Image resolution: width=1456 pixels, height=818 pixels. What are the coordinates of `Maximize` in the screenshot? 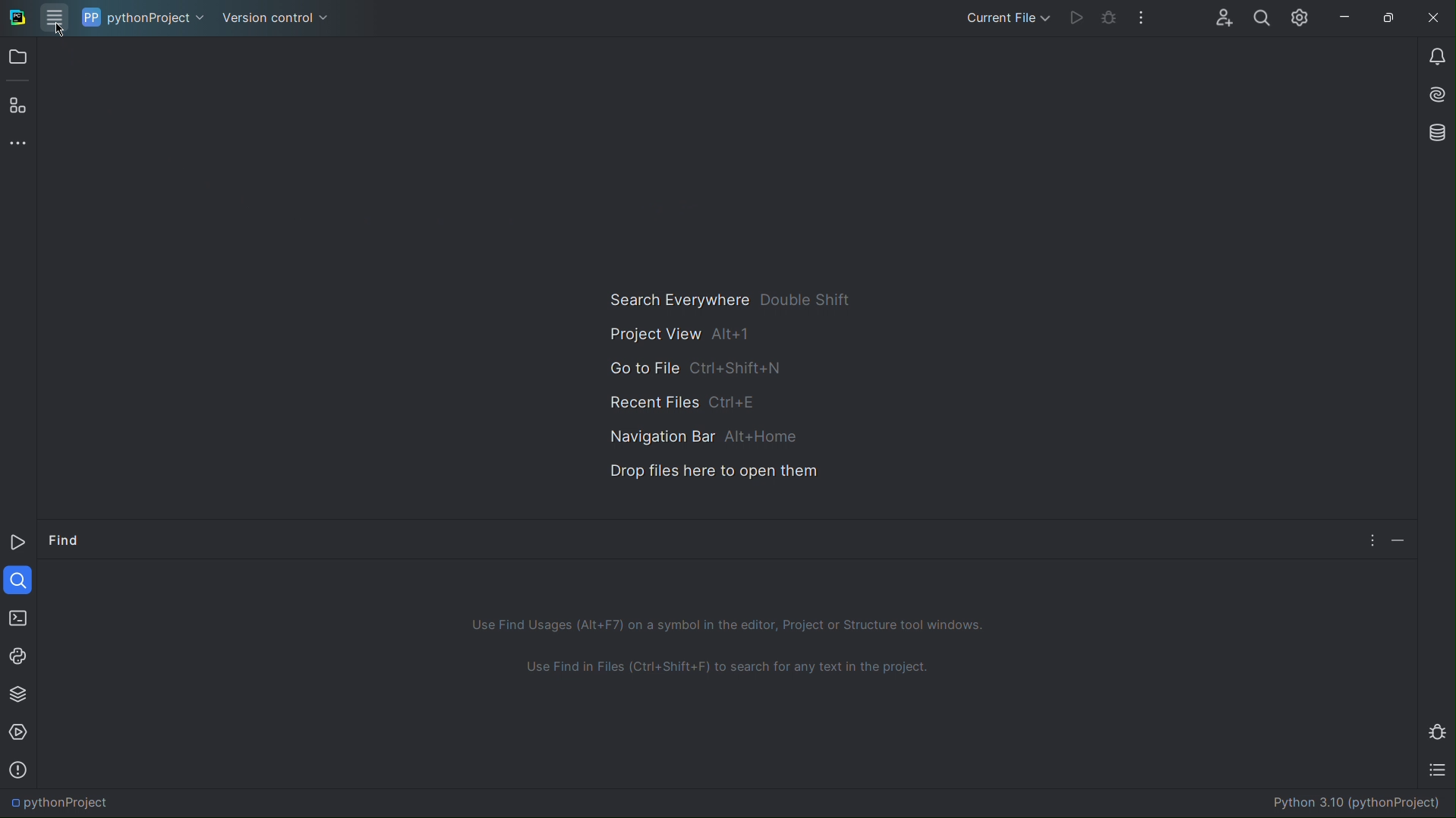 It's located at (1391, 19).